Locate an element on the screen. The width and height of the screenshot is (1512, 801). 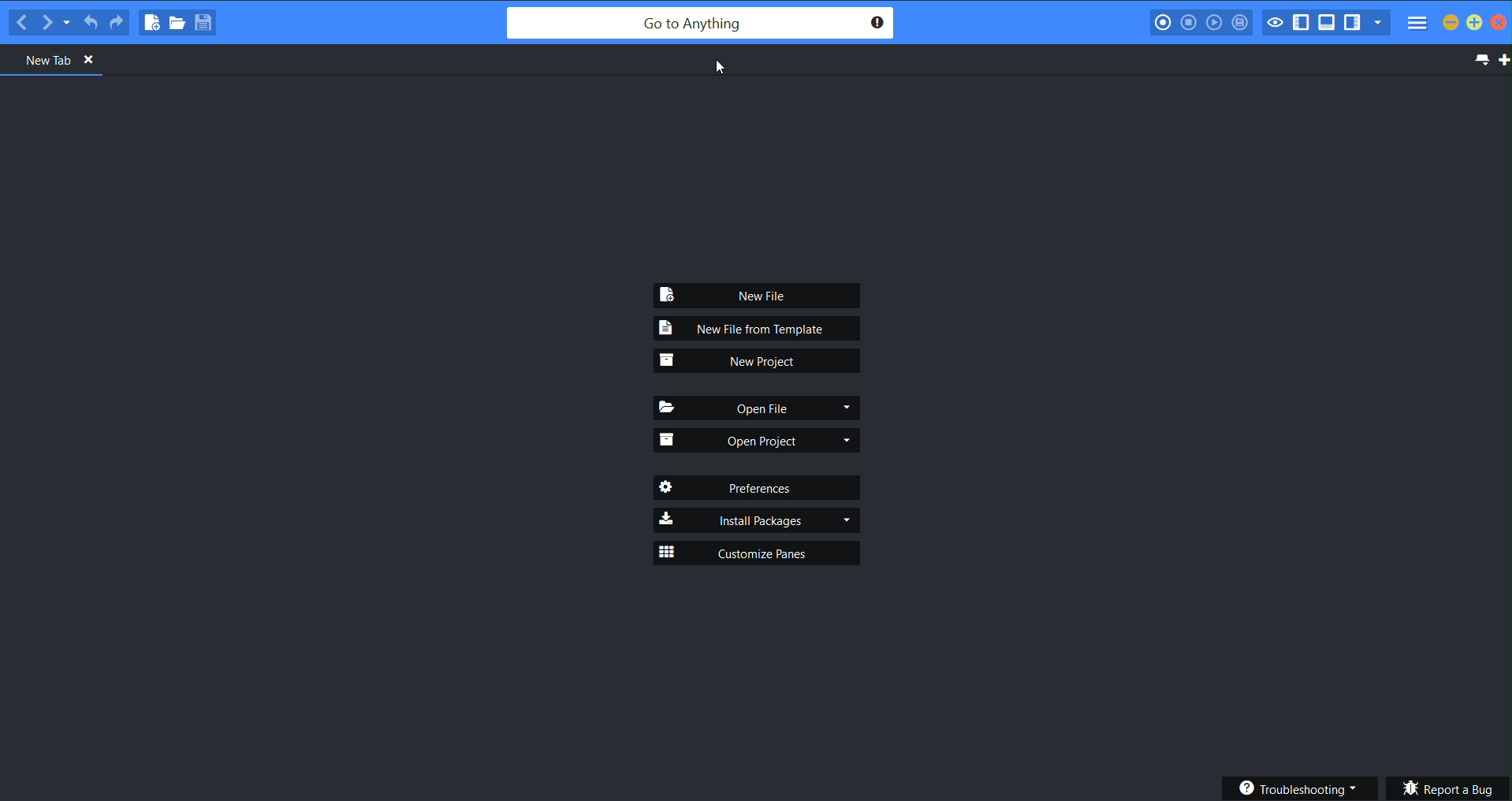
record macro is located at coordinates (1162, 22).